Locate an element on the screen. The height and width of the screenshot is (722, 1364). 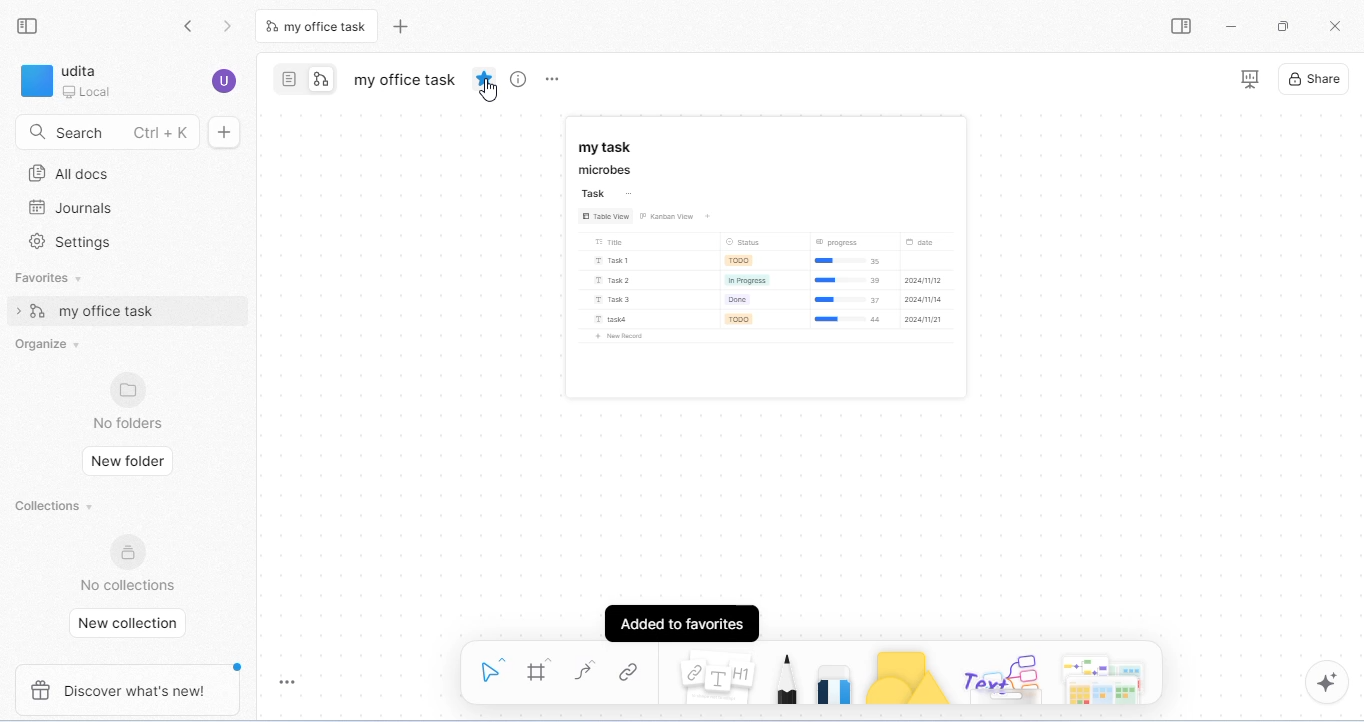
frame is located at coordinates (542, 670).